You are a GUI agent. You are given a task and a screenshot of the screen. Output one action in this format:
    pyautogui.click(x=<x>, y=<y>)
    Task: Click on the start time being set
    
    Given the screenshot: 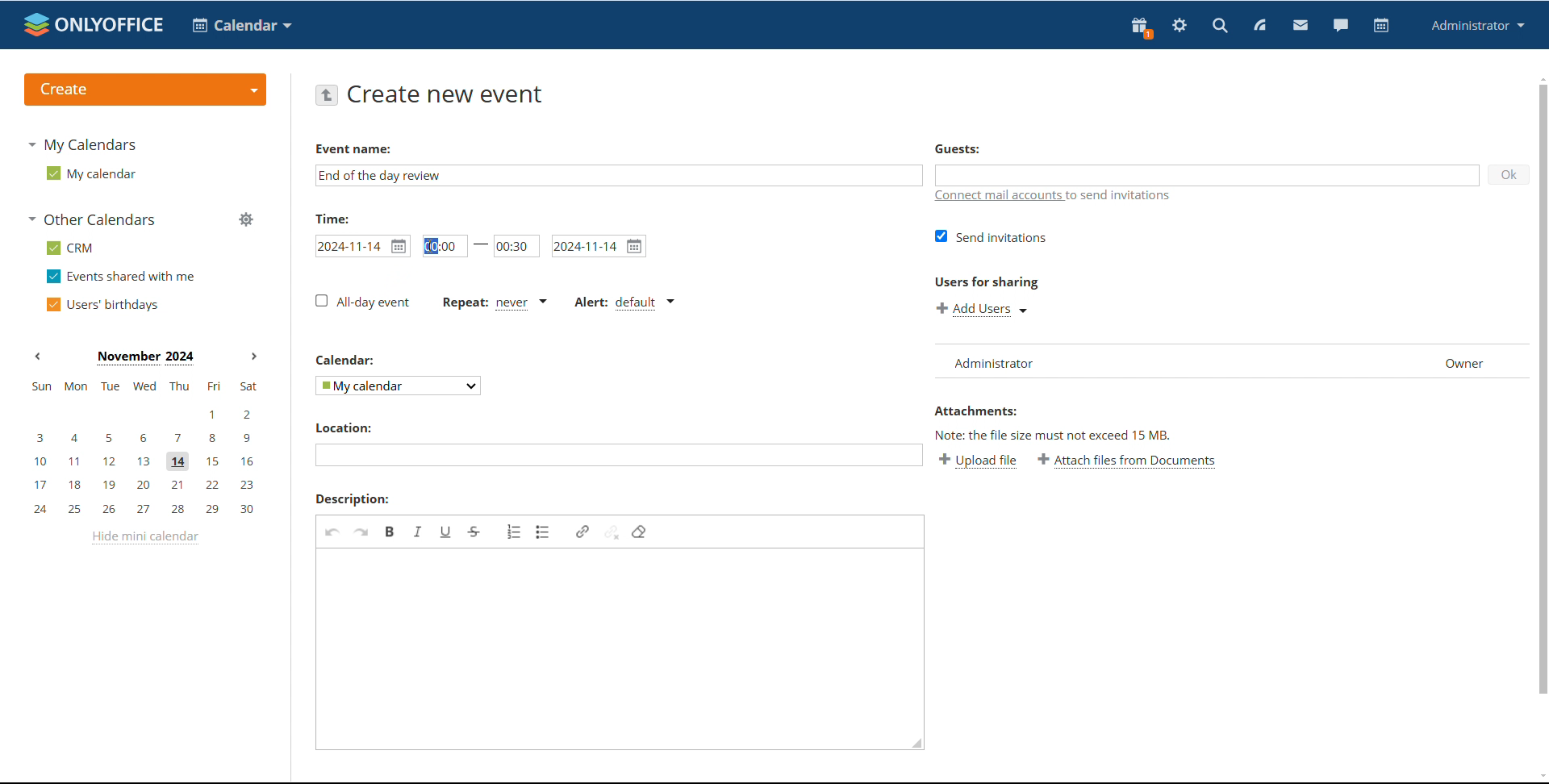 What is the action you would take?
    pyautogui.click(x=445, y=245)
    